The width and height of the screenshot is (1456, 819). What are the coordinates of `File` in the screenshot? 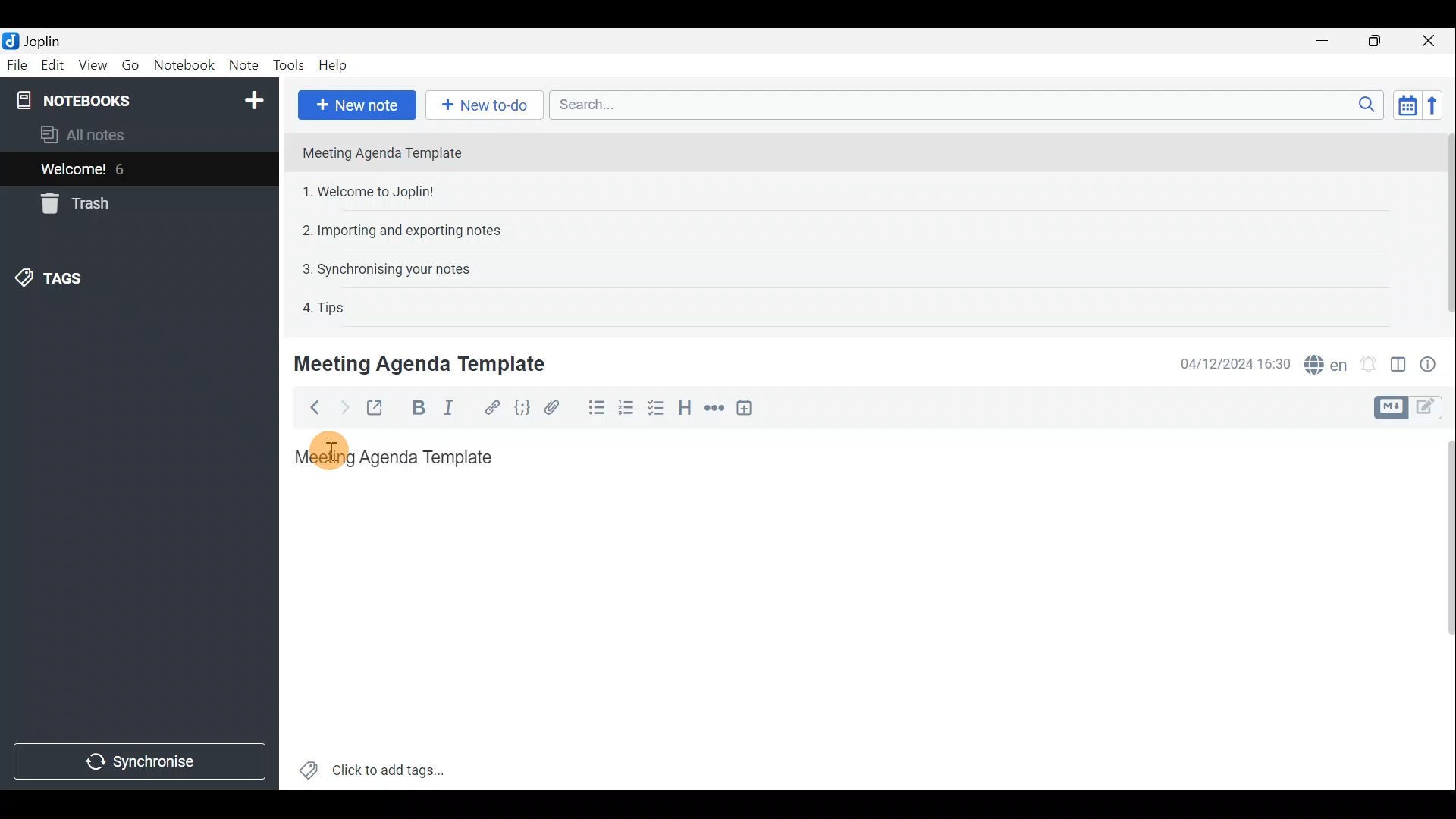 It's located at (17, 64).